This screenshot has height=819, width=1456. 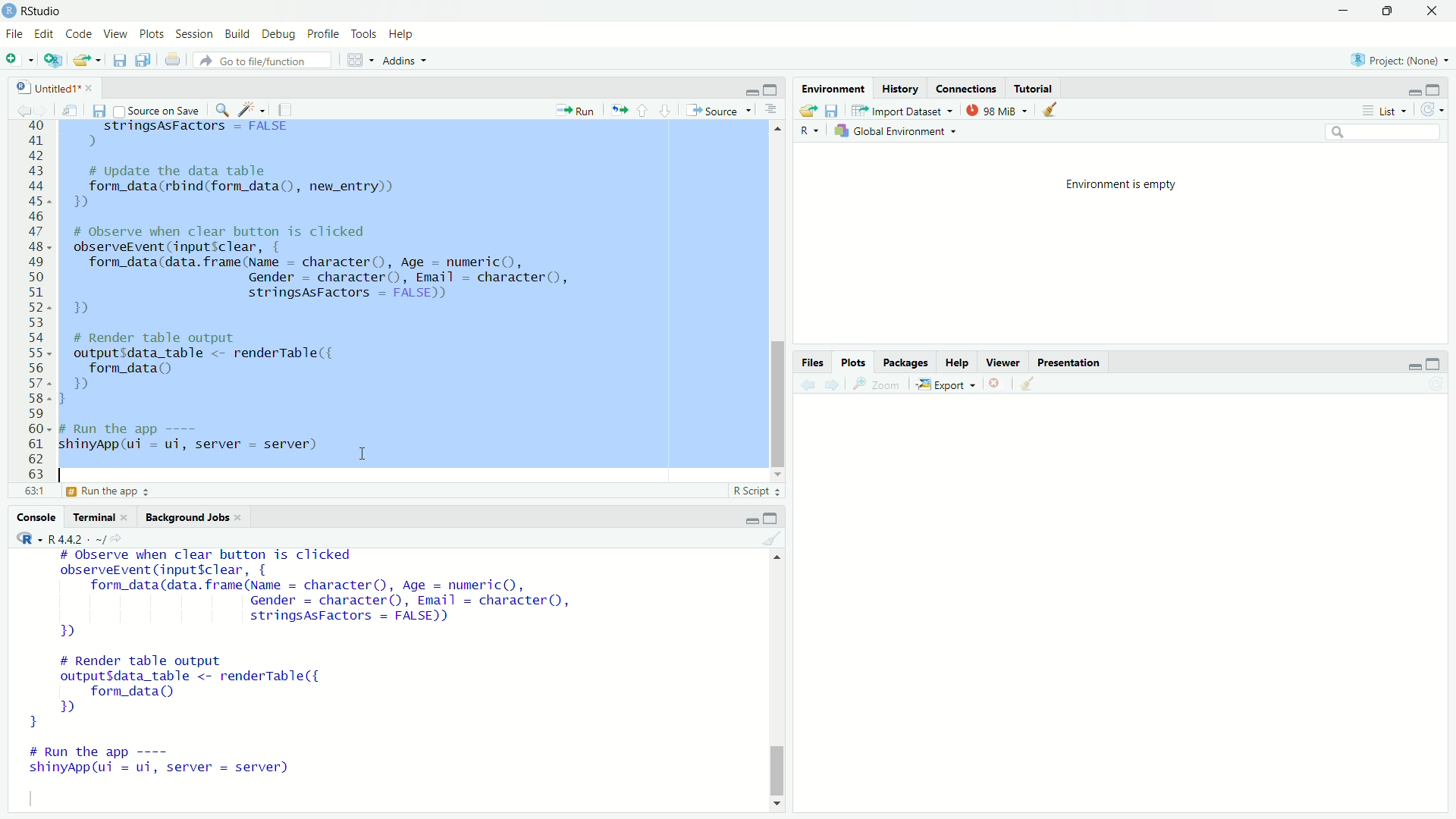 What do you see at coordinates (9, 10) in the screenshot?
I see `logo` at bounding box center [9, 10].